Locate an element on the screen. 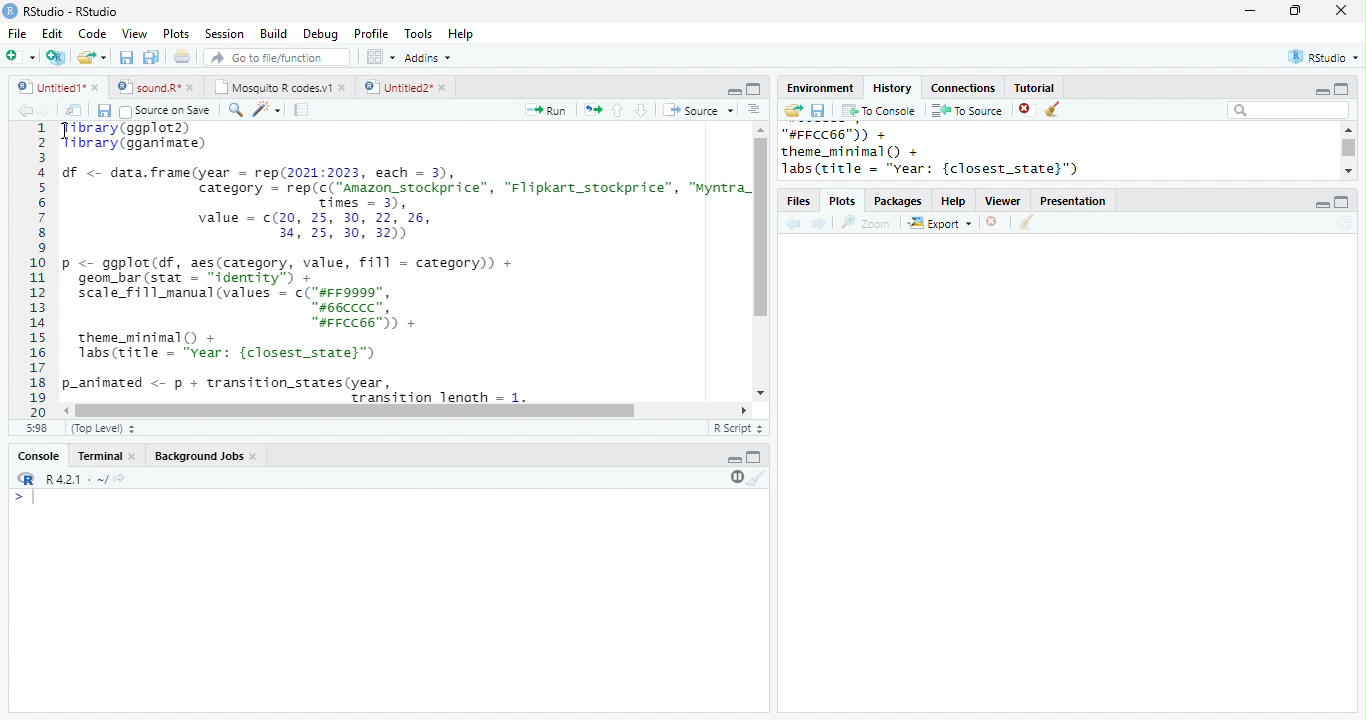  scroll right is located at coordinates (68, 411).